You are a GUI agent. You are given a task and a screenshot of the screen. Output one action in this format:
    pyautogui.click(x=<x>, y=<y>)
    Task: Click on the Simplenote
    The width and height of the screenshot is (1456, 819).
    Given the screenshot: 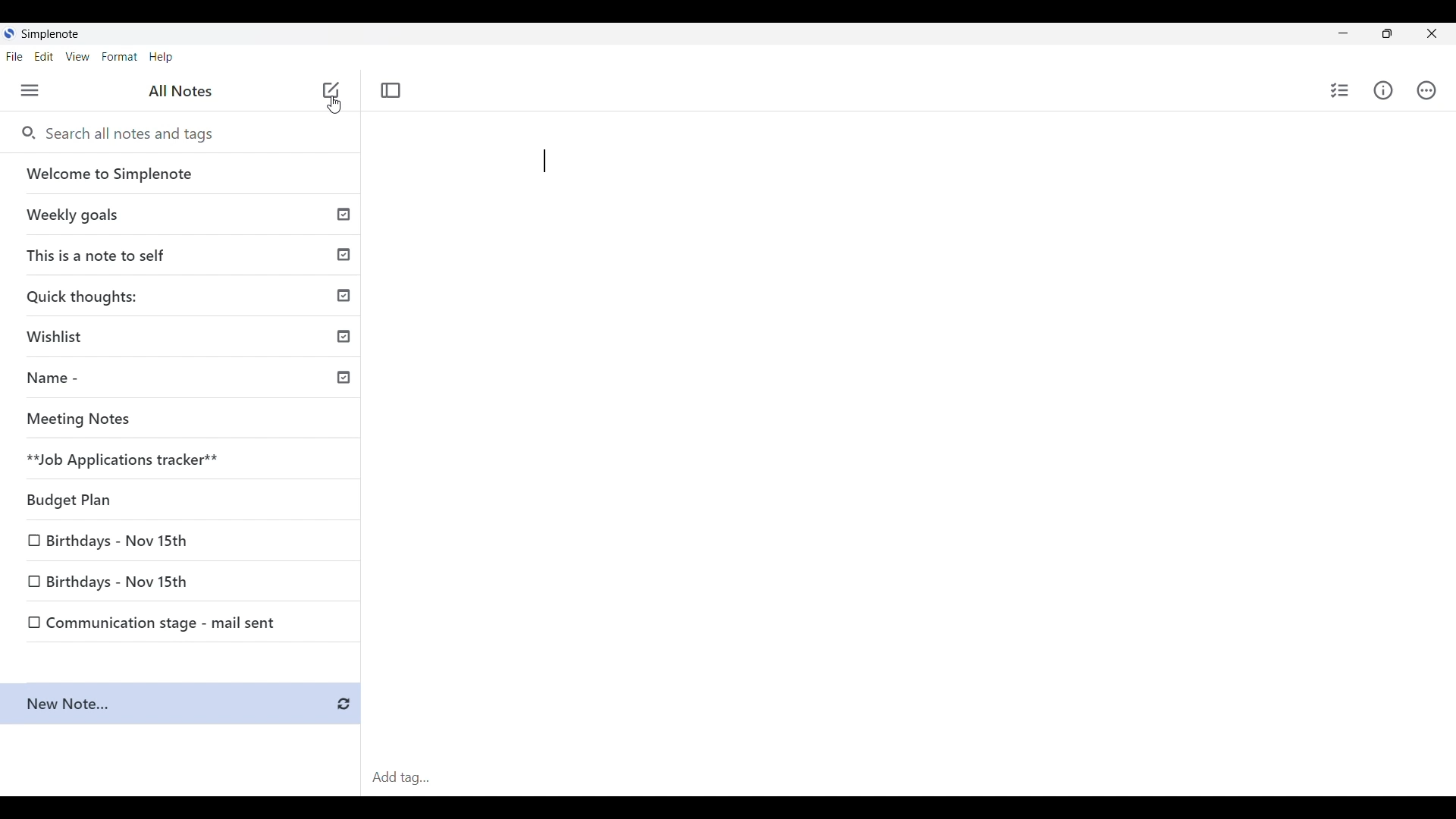 What is the action you would take?
    pyautogui.click(x=47, y=33)
    